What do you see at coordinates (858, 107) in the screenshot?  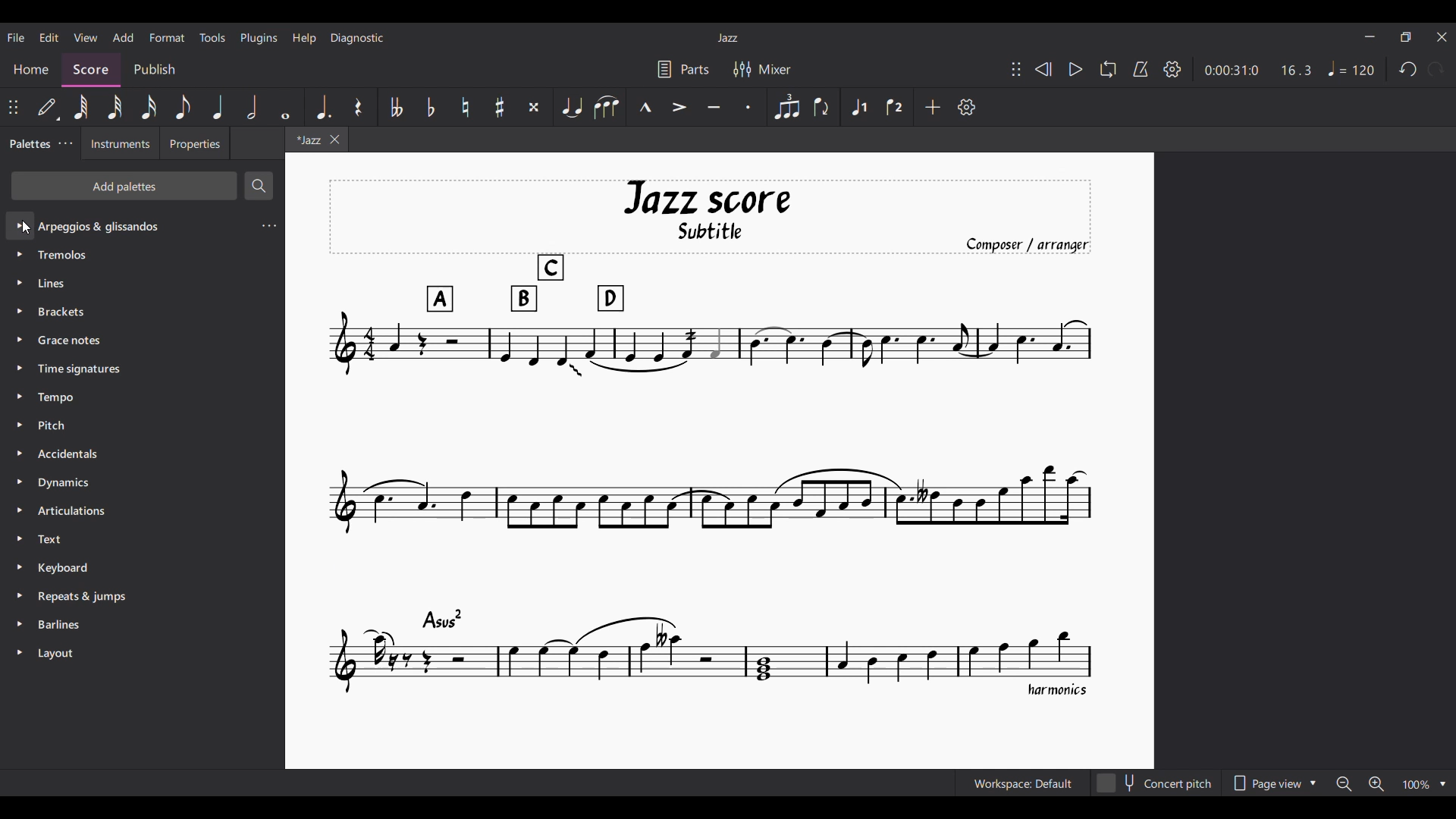 I see `Voice 1` at bounding box center [858, 107].